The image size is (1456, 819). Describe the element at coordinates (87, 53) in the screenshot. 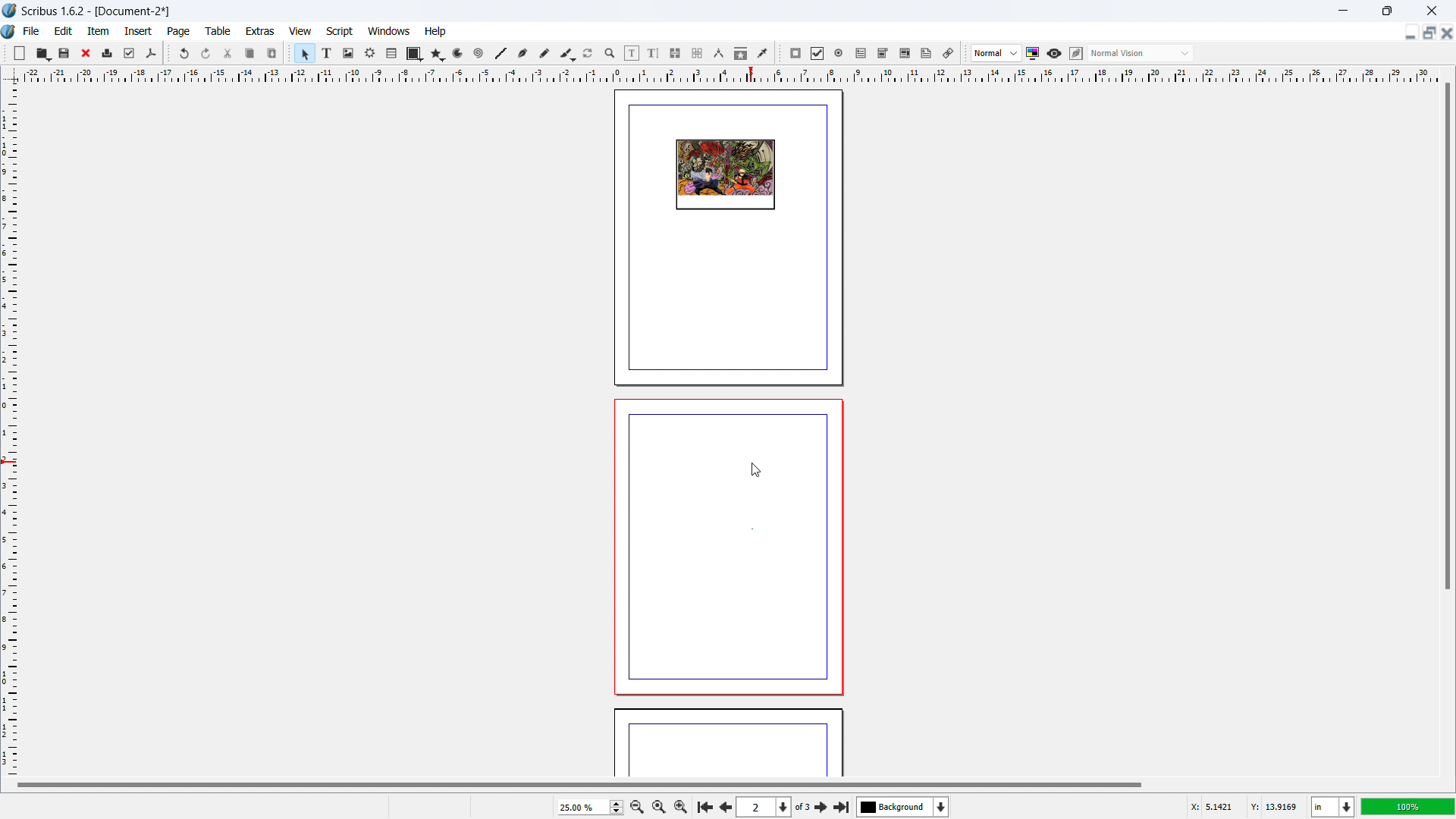

I see `close` at that location.